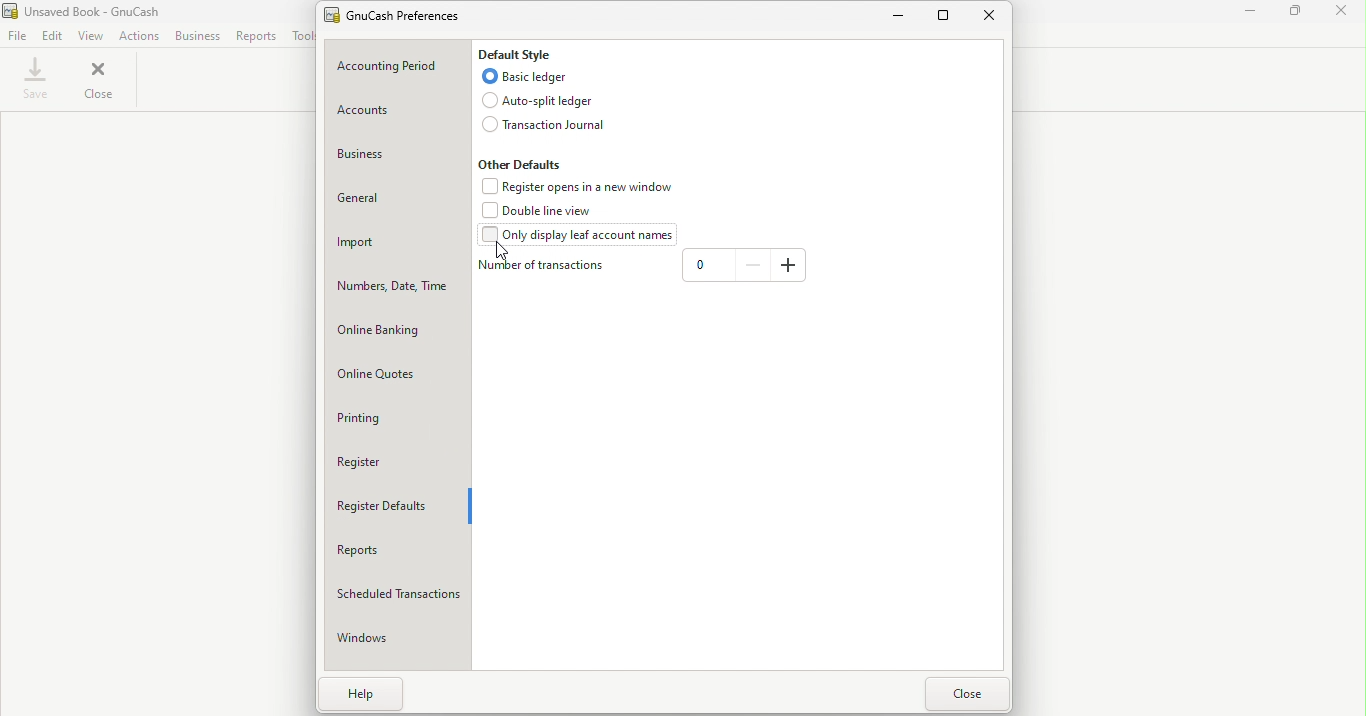  I want to click on Minimize, so click(1251, 12).